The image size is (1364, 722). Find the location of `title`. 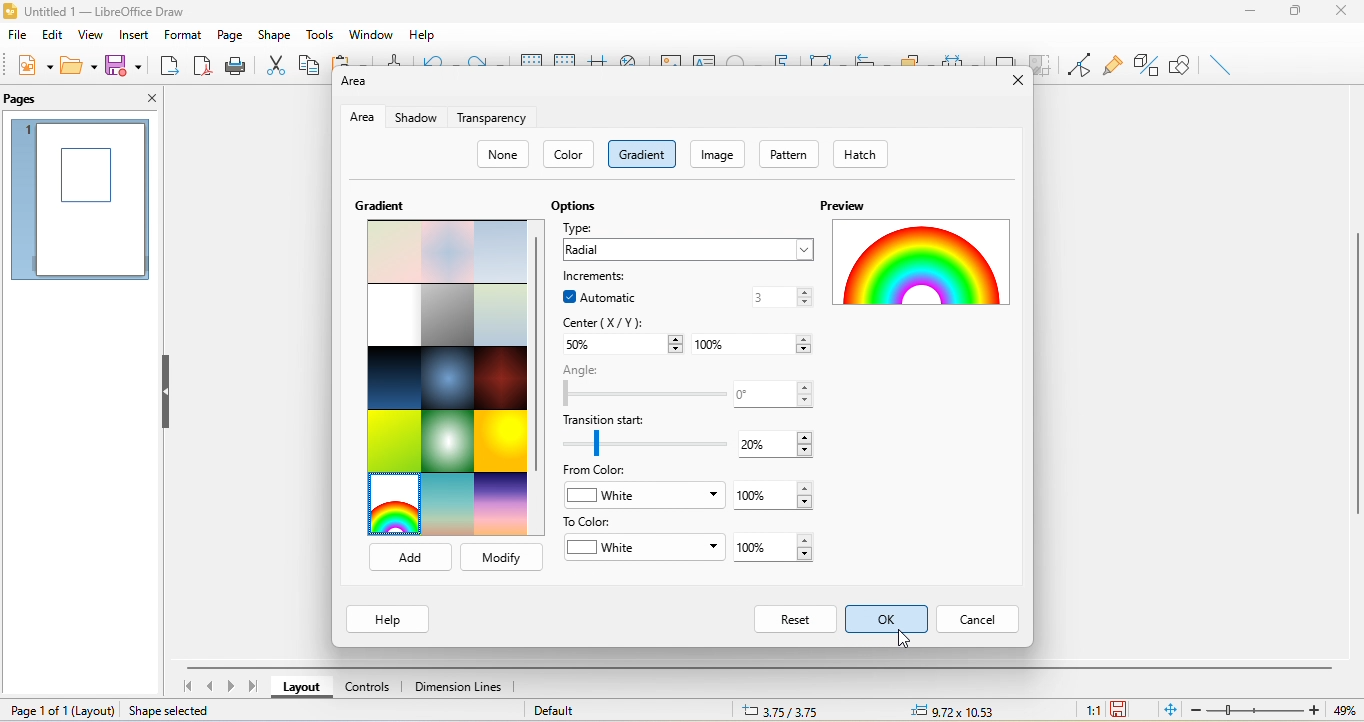

title is located at coordinates (112, 12).